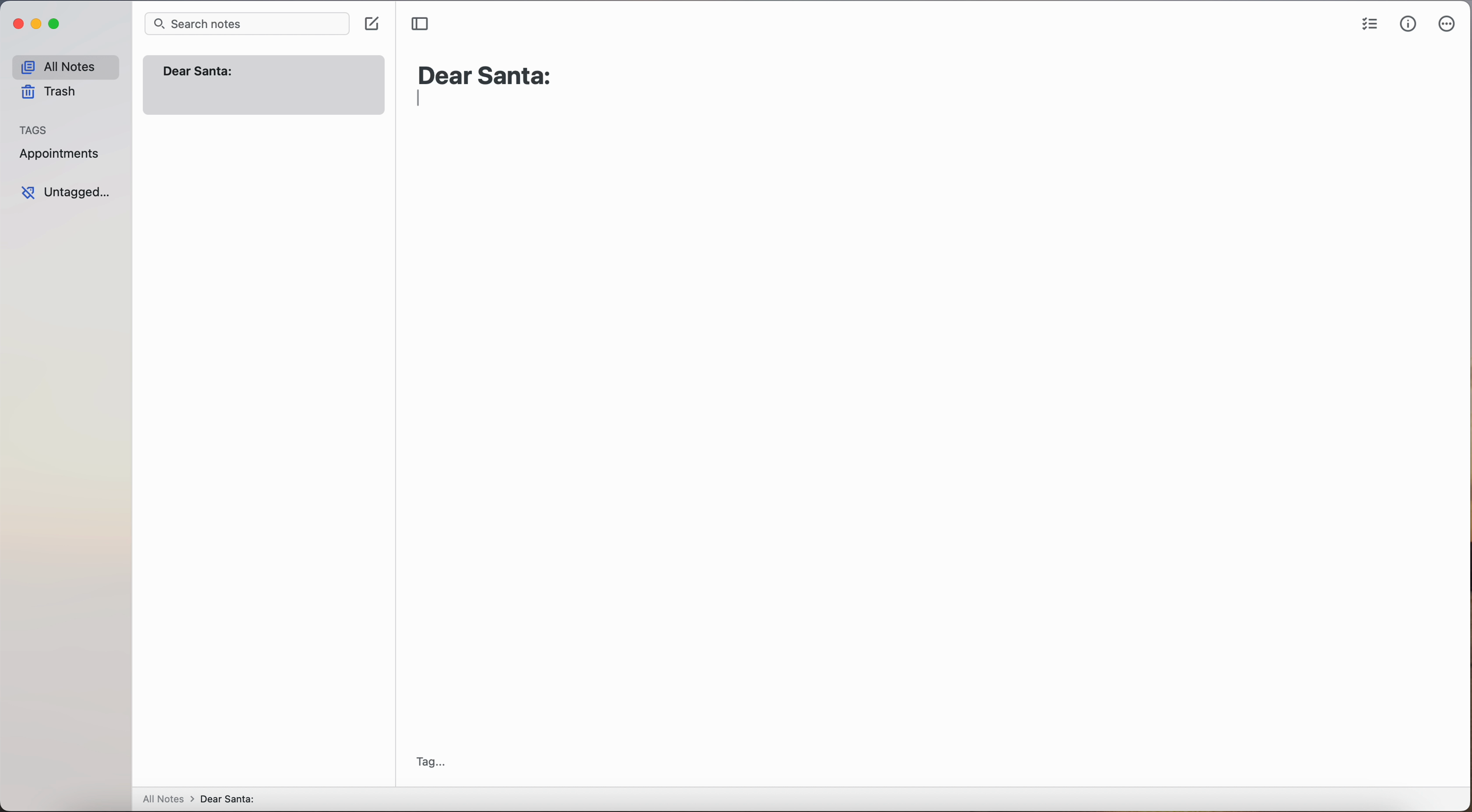 This screenshot has height=812, width=1472. Describe the element at coordinates (61, 156) in the screenshot. I see `appointments` at that location.